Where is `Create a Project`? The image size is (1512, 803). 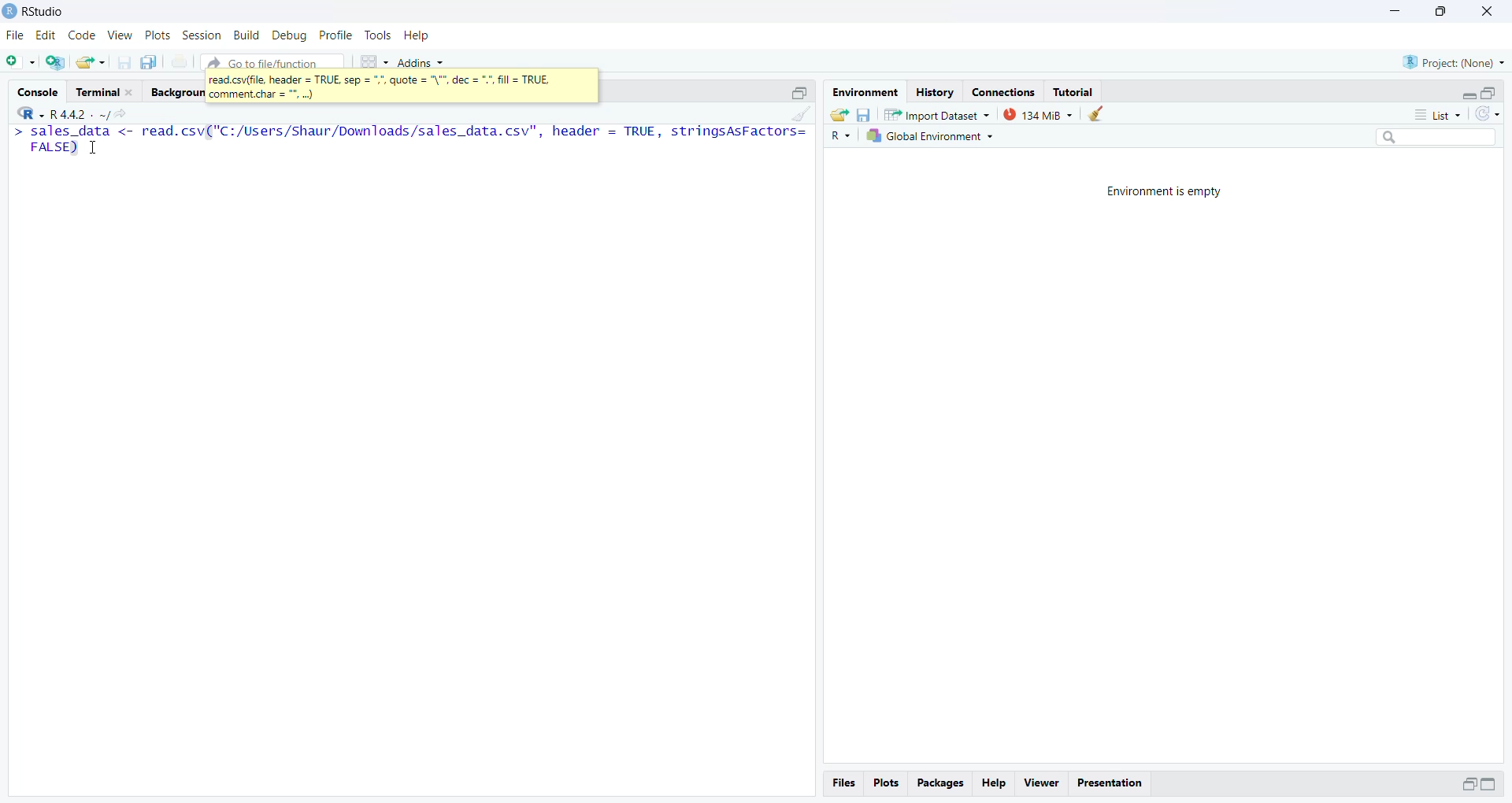 Create a Project is located at coordinates (57, 62).